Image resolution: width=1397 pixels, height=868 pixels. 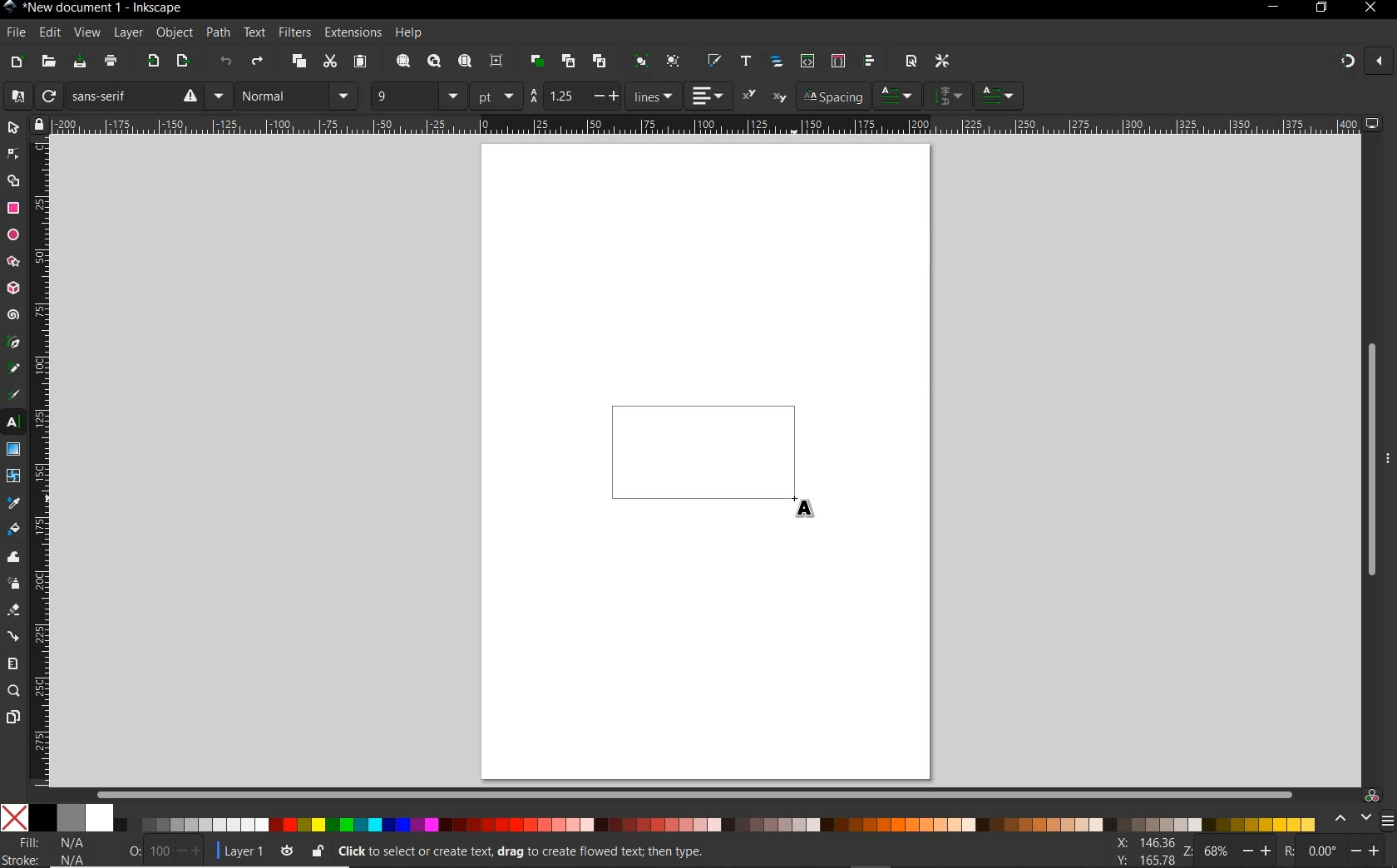 I want to click on zoom center page, so click(x=497, y=61).